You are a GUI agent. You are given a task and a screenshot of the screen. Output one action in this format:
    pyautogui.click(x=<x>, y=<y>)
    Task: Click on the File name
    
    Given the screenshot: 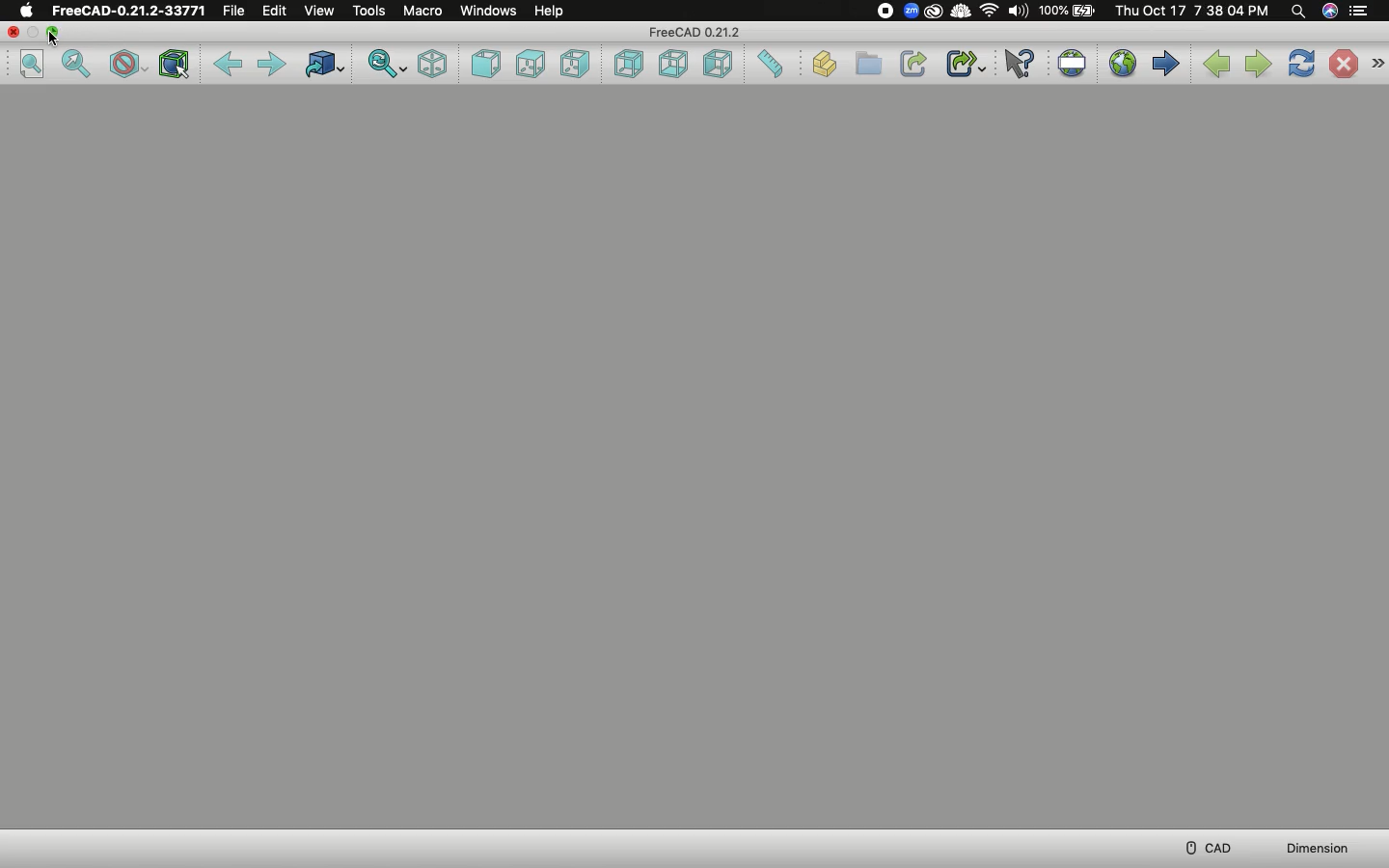 What is the action you would take?
    pyautogui.click(x=685, y=32)
    